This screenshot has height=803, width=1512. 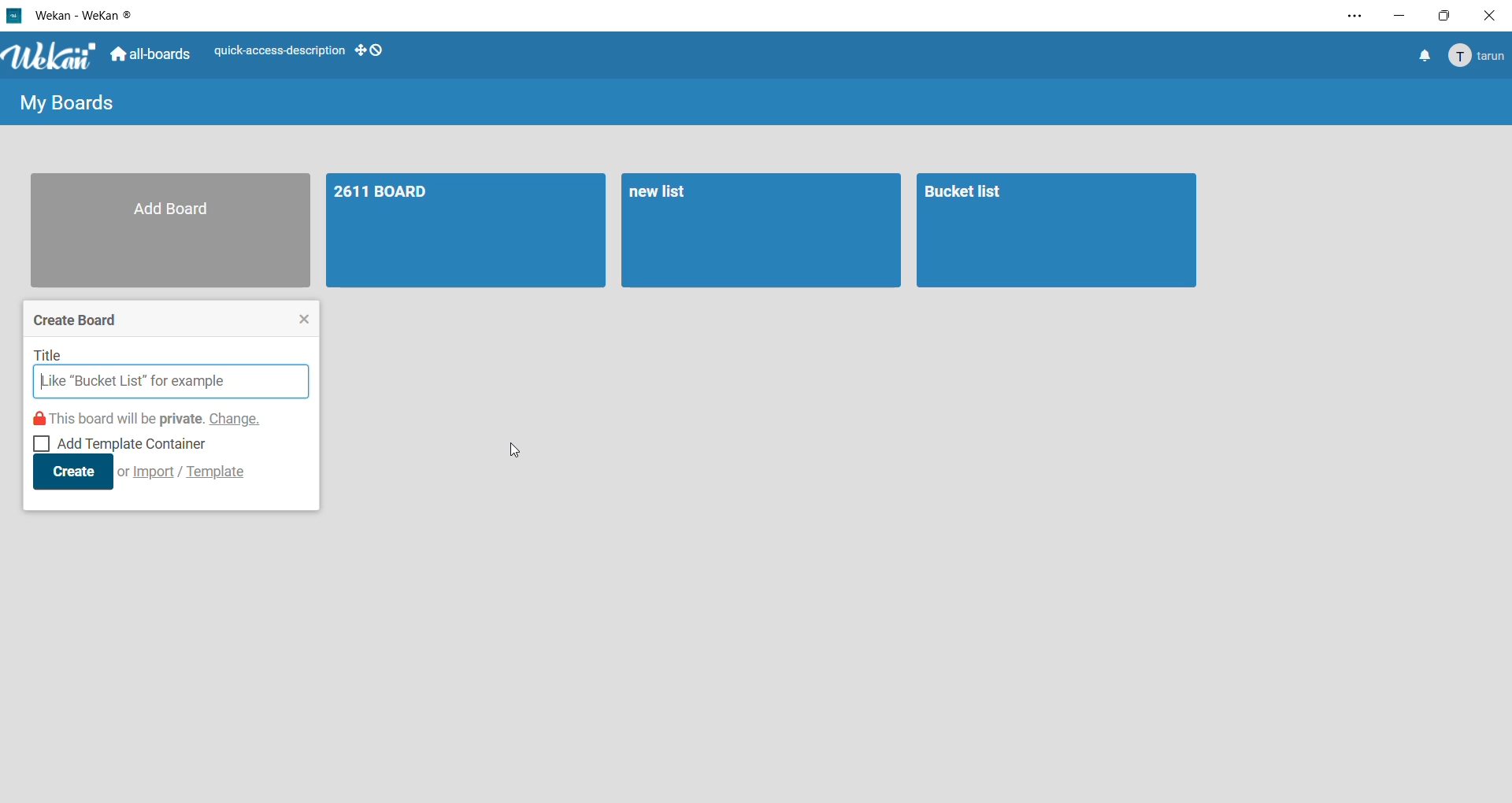 I want to click on cursor, so click(x=519, y=451).